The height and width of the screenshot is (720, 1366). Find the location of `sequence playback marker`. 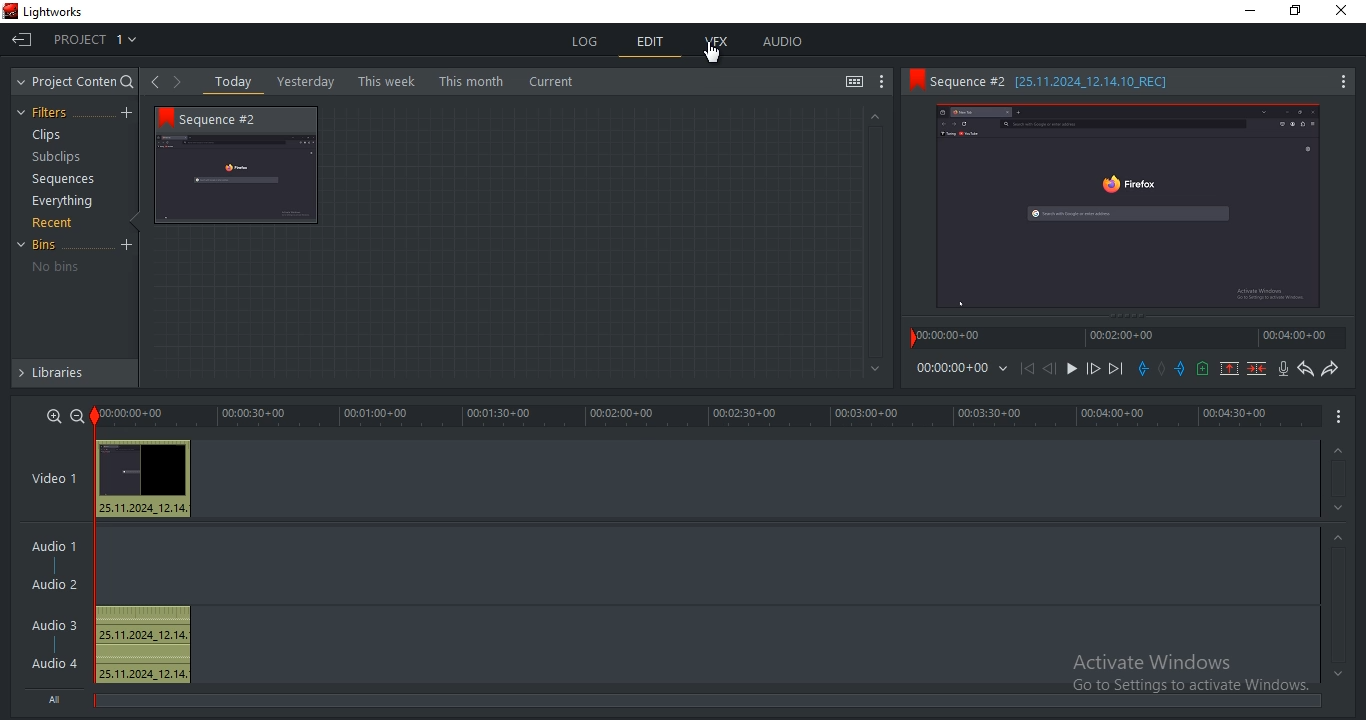

sequence playback marker is located at coordinates (99, 566).